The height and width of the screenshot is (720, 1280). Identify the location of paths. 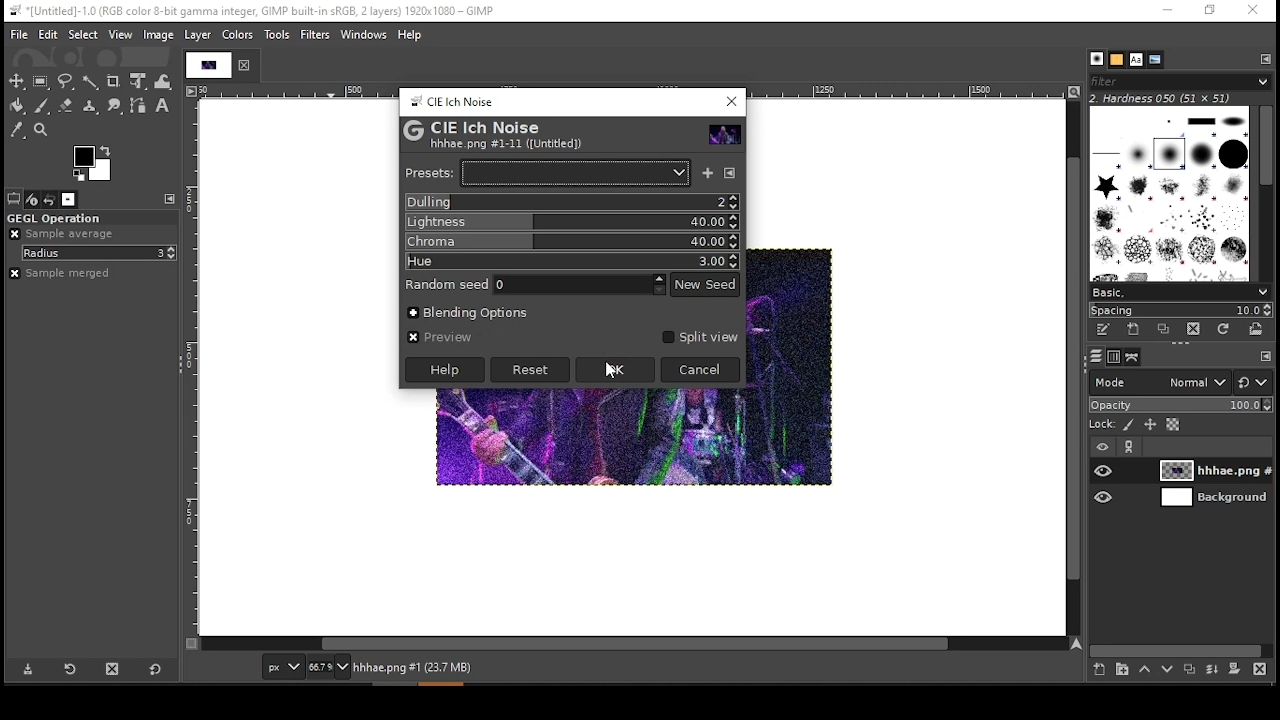
(1134, 356).